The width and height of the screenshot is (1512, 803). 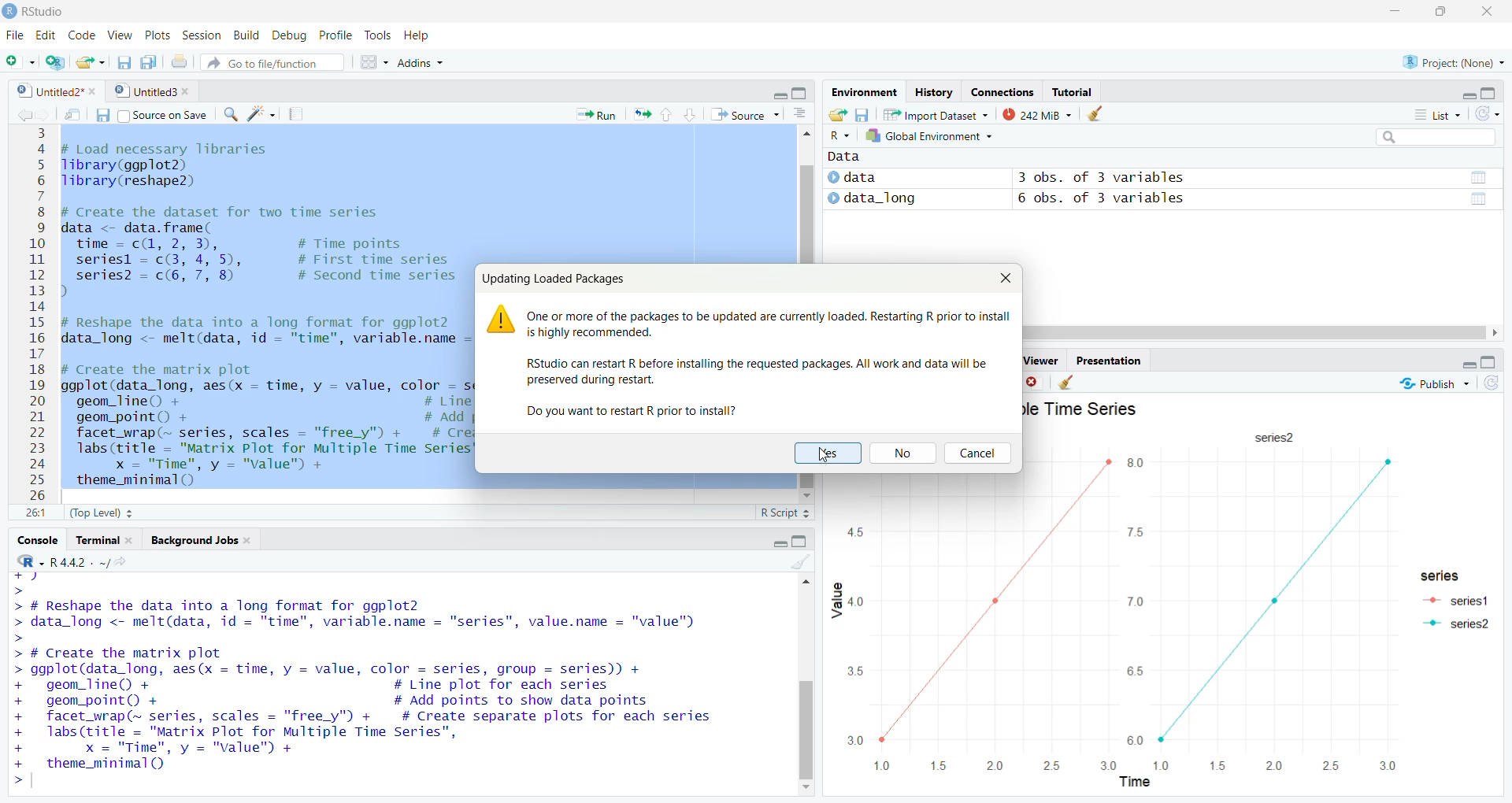 What do you see at coordinates (75, 114) in the screenshot?
I see `show in window` at bounding box center [75, 114].